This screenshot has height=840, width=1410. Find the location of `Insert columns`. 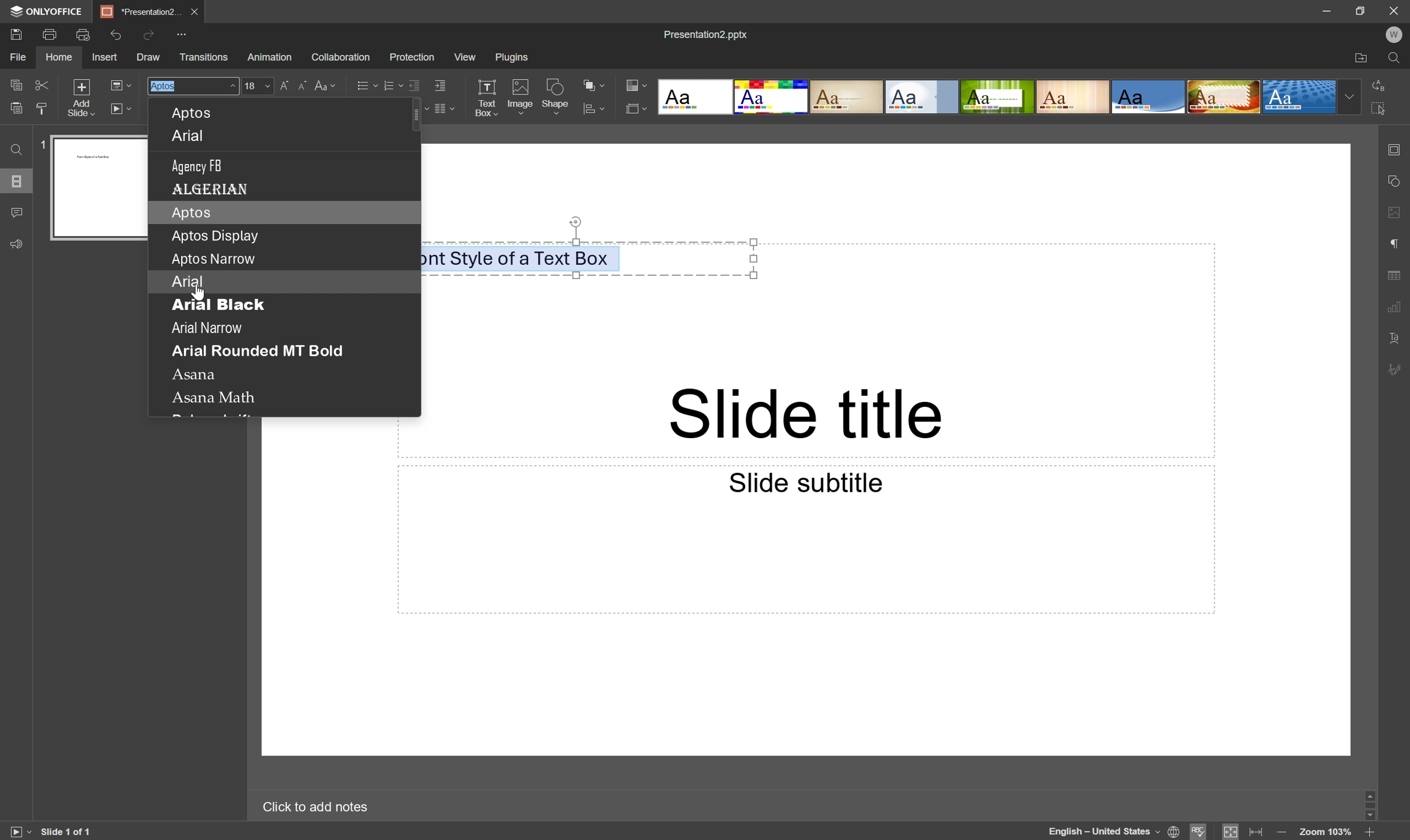

Insert columns is located at coordinates (446, 108).